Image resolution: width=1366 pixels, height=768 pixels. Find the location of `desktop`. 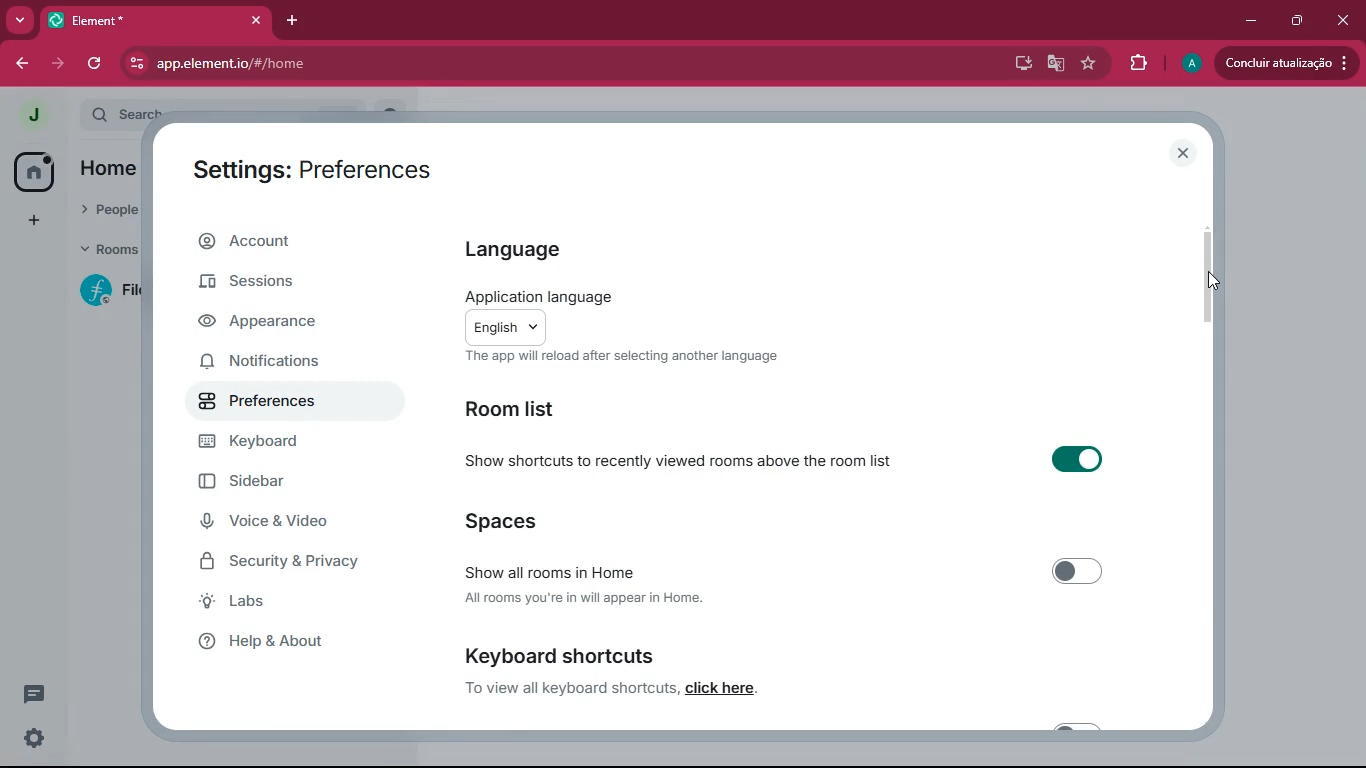

desktop is located at coordinates (1020, 62).